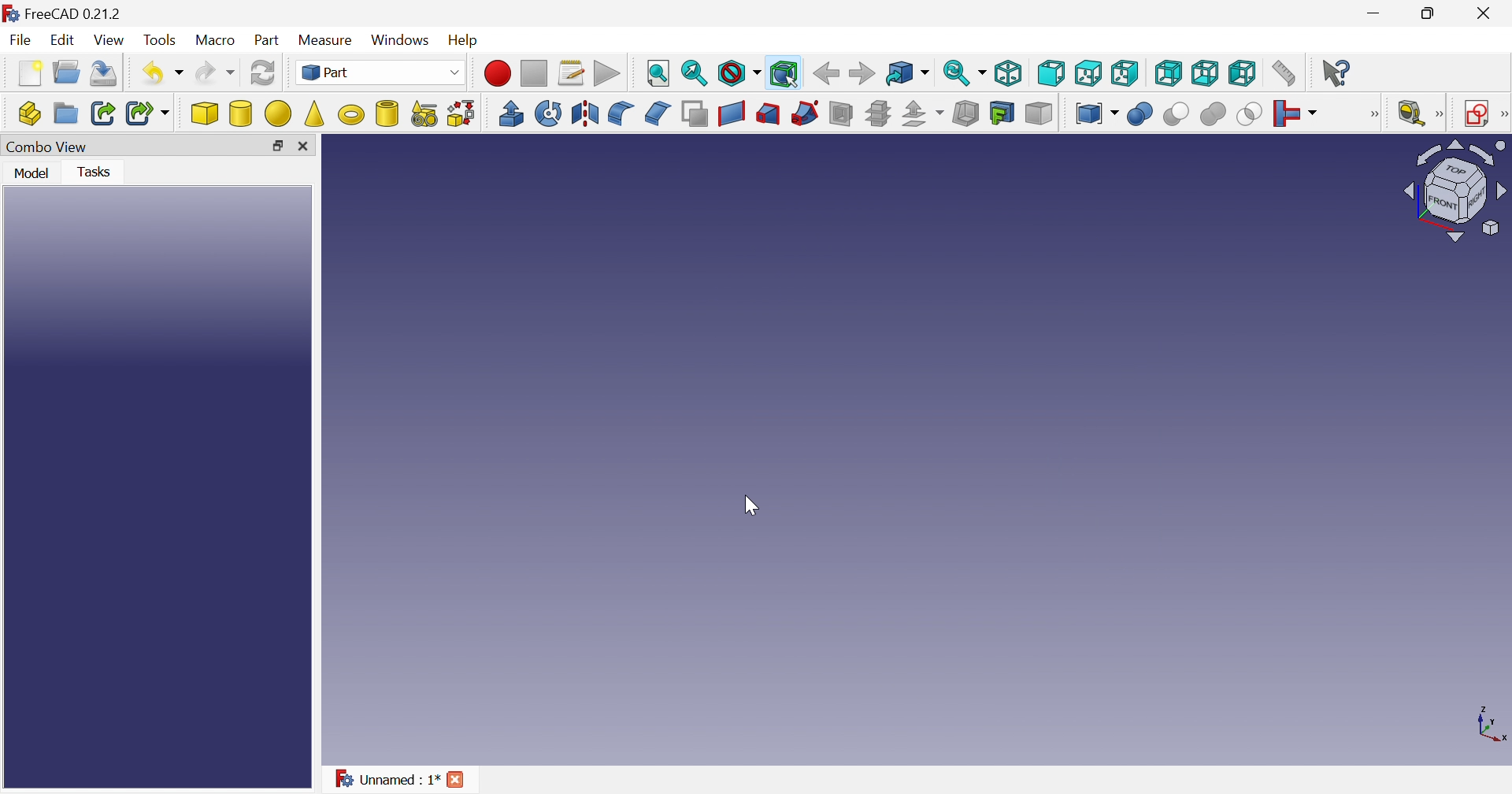  I want to click on Close, so click(308, 147).